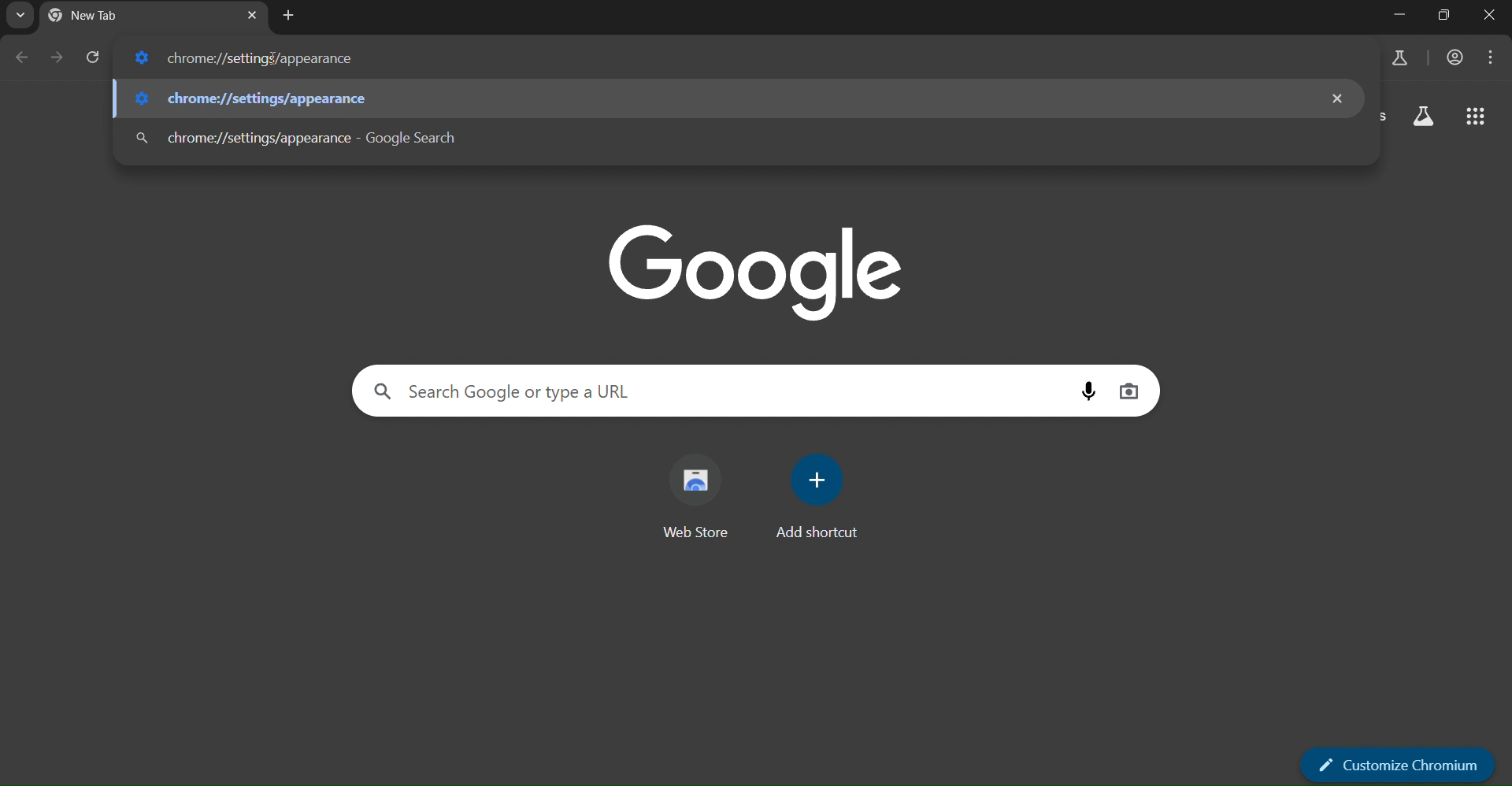 The height and width of the screenshot is (786, 1512). What do you see at coordinates (91, 54) in the screenshot?
I see `reload page` at bounding box center [91, 54].